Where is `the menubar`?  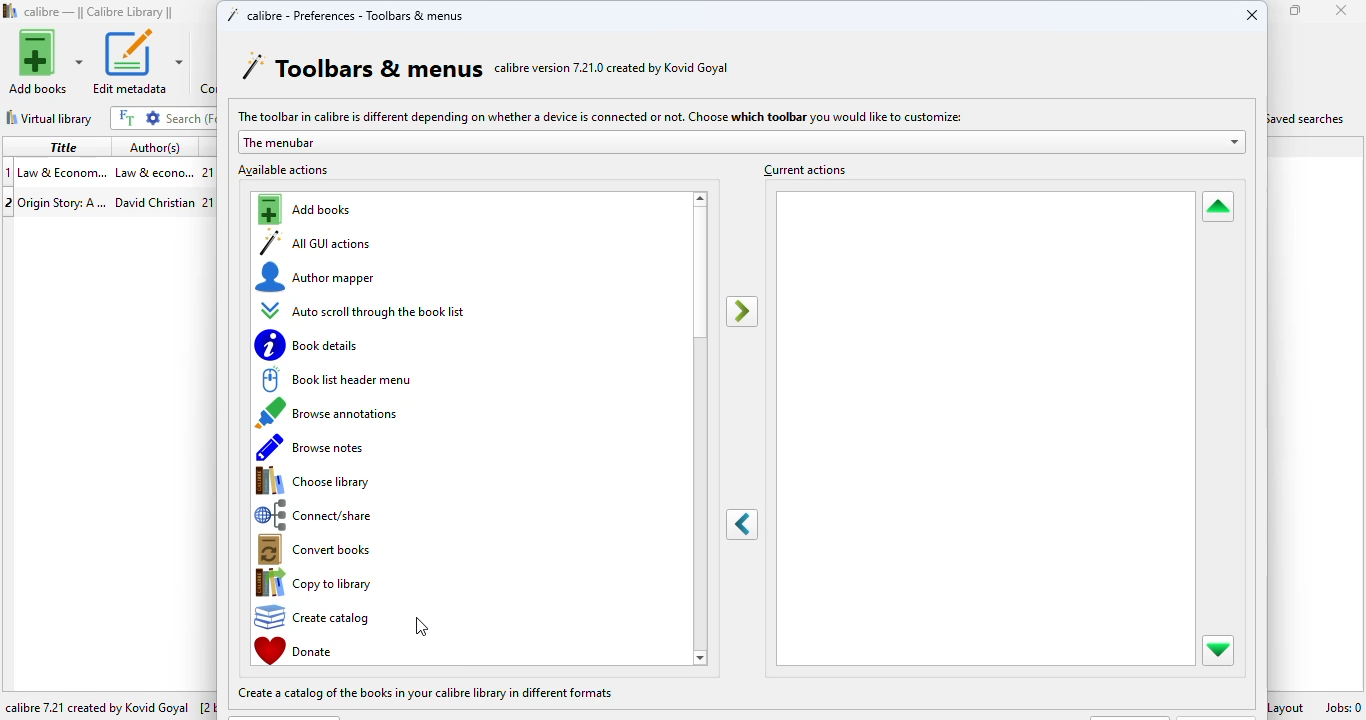 the menubar is located at coordinates (740, 142).